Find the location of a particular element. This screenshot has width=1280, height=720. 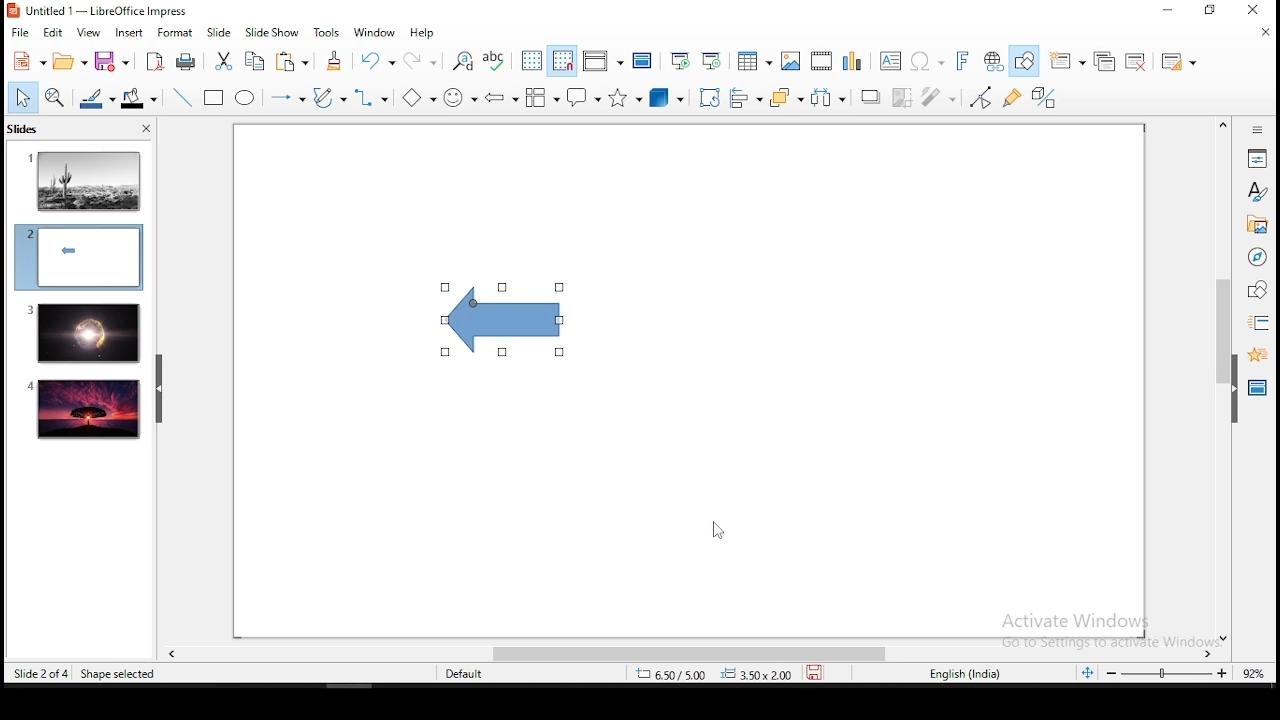

distribute is located at coordinates (830, 98).